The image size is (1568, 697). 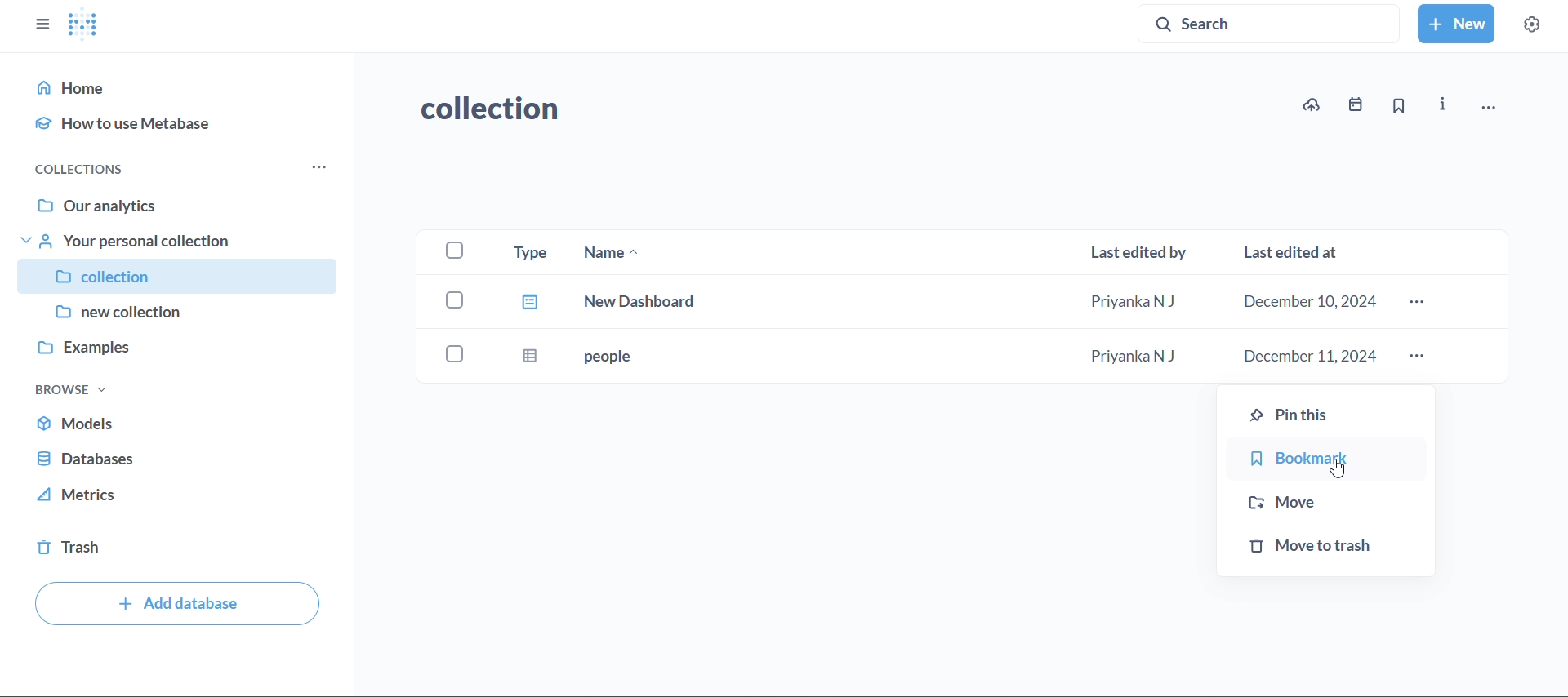 I want to click on last edited at, so click(x=1294, y=255).